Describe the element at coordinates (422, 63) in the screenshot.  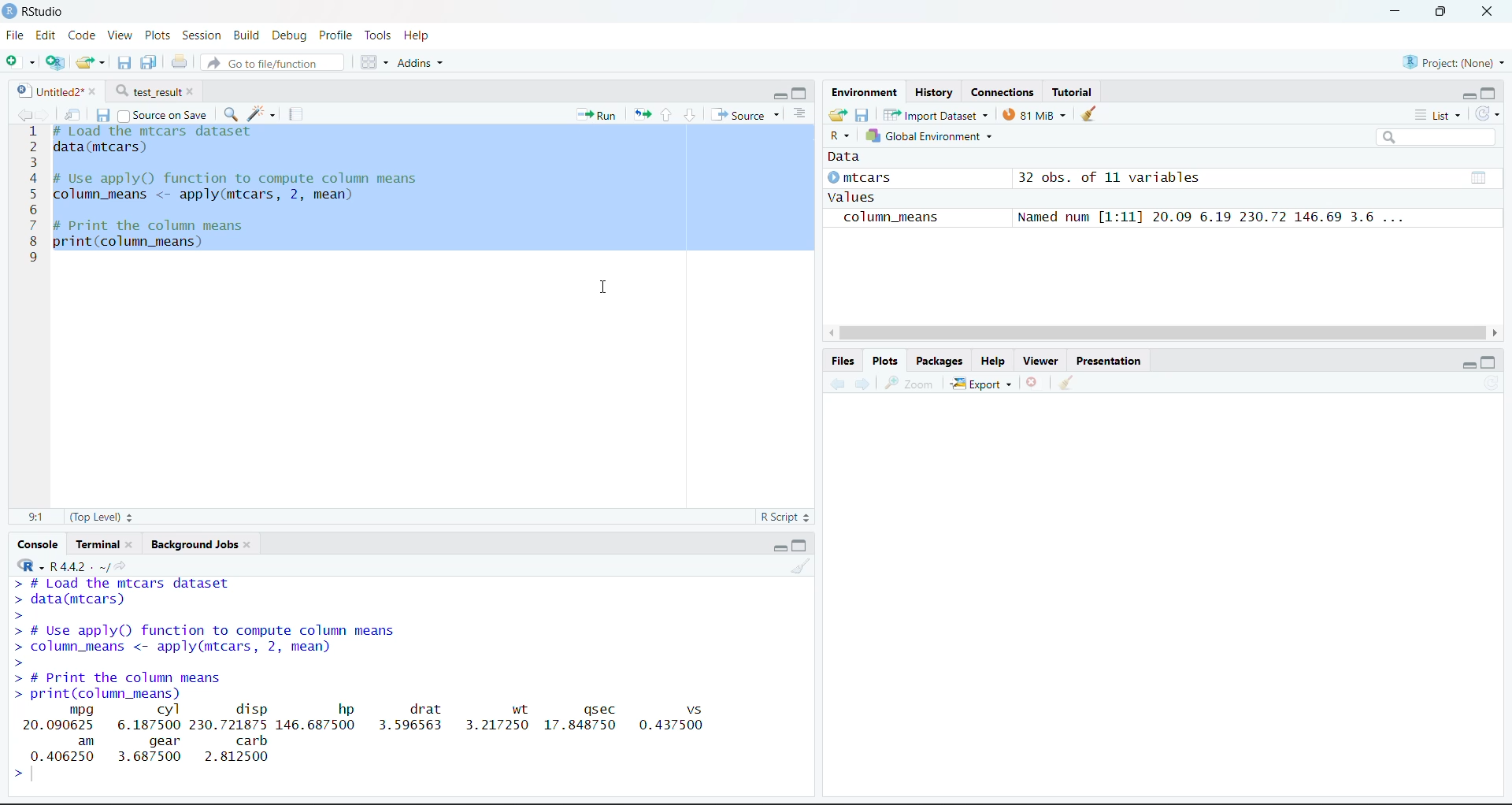
I see `Addins` at that location.